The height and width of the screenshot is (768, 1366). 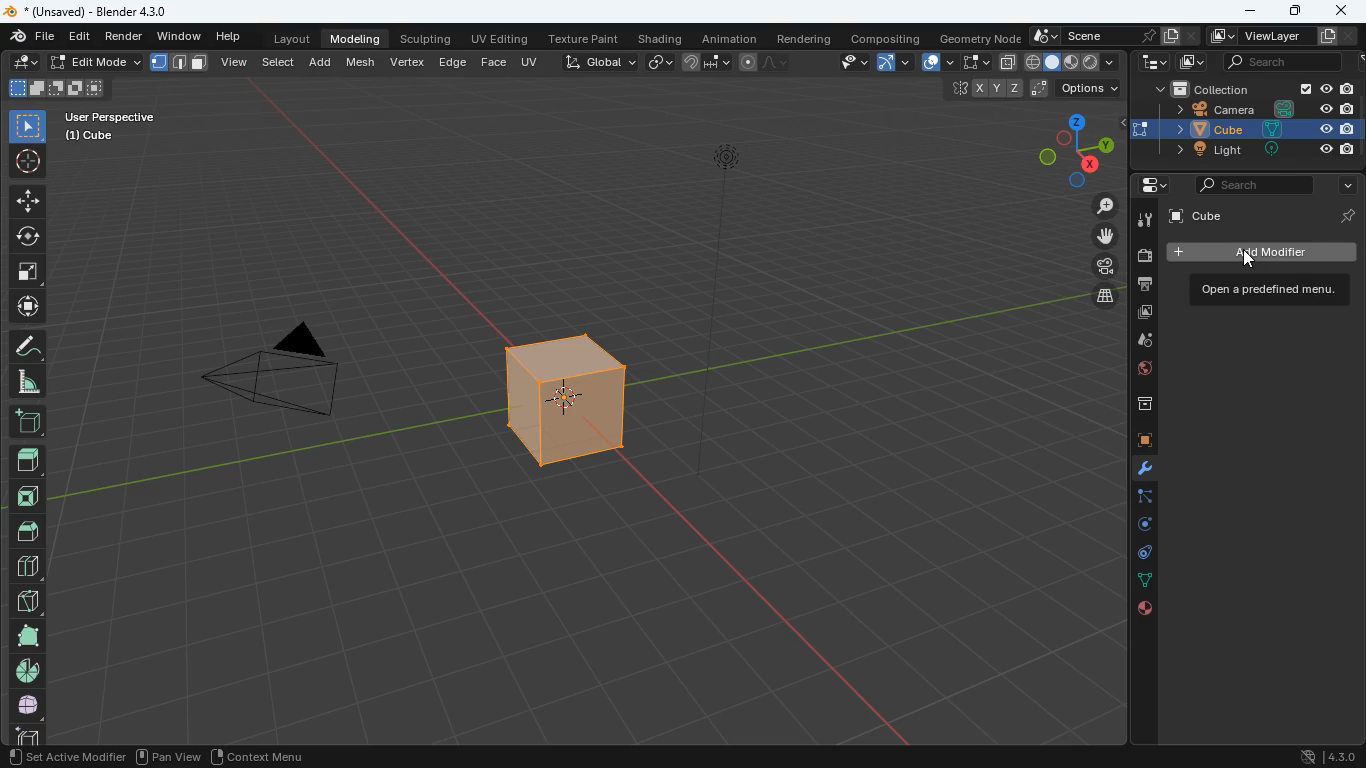 I want to click on search, so click(x=1247, y=187).